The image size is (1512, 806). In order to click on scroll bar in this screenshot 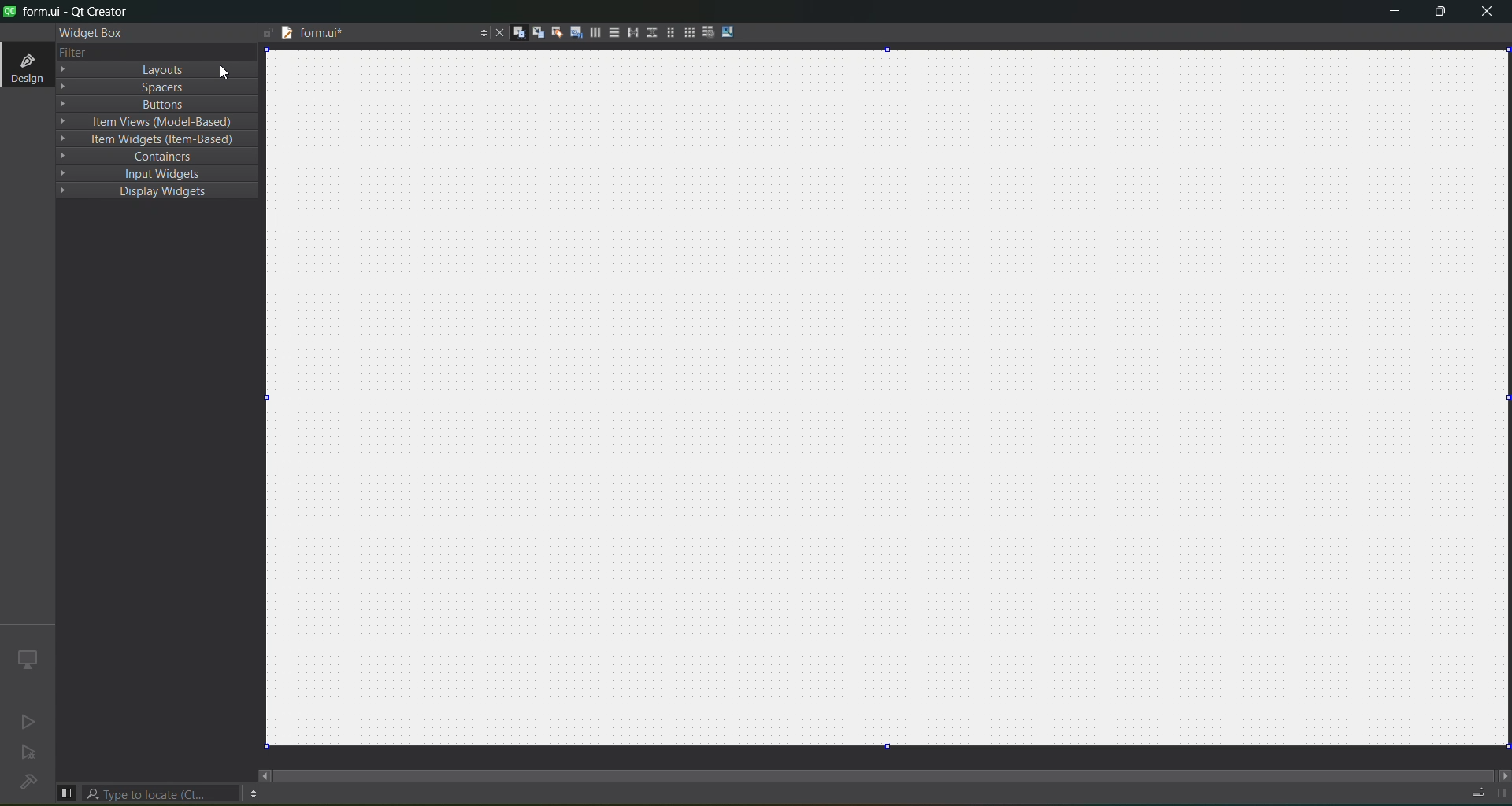, I will do `click(885, 768)`.